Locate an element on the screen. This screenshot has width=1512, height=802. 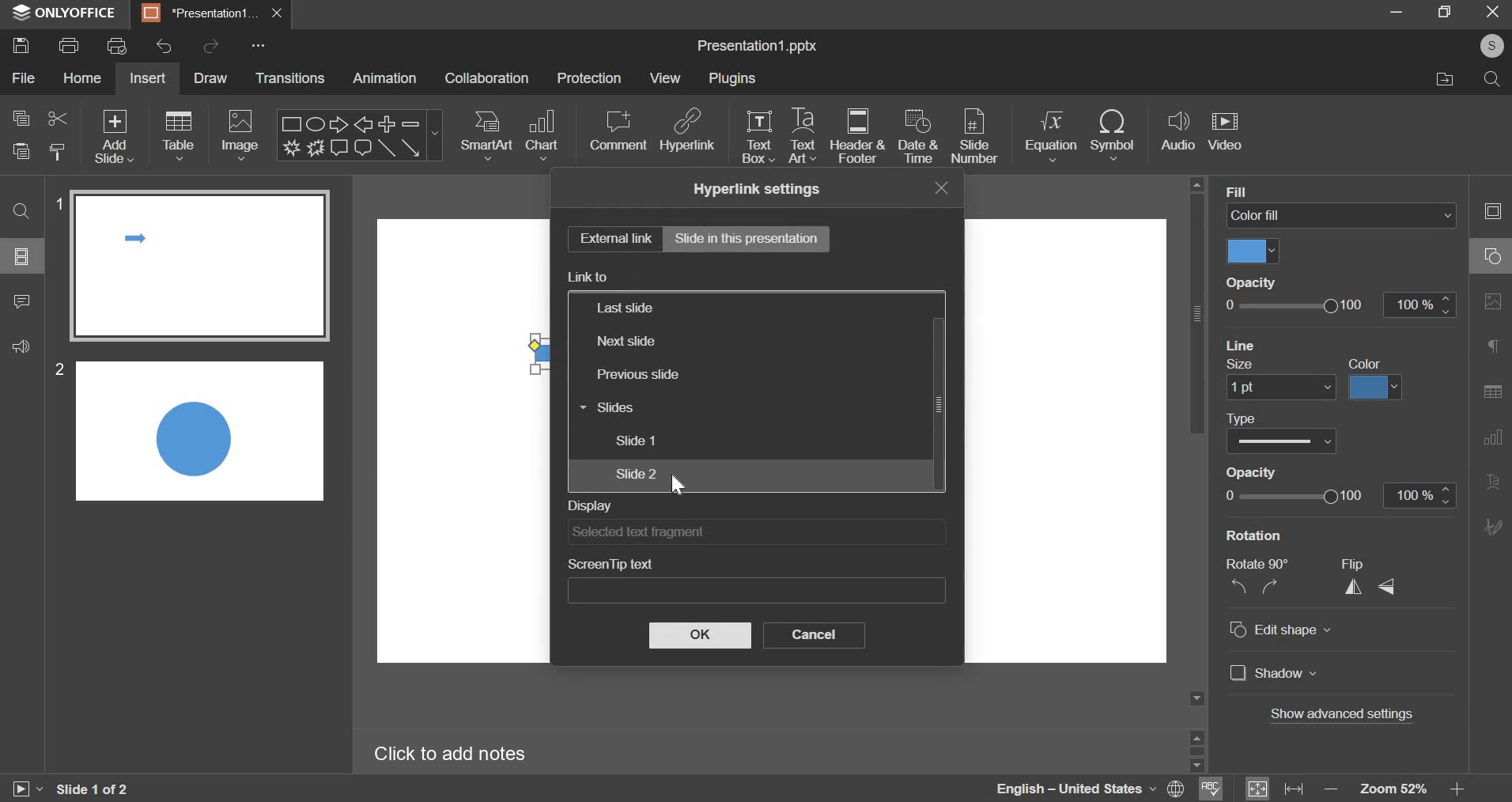
Click to add notes is located at coordinates (452, 752).